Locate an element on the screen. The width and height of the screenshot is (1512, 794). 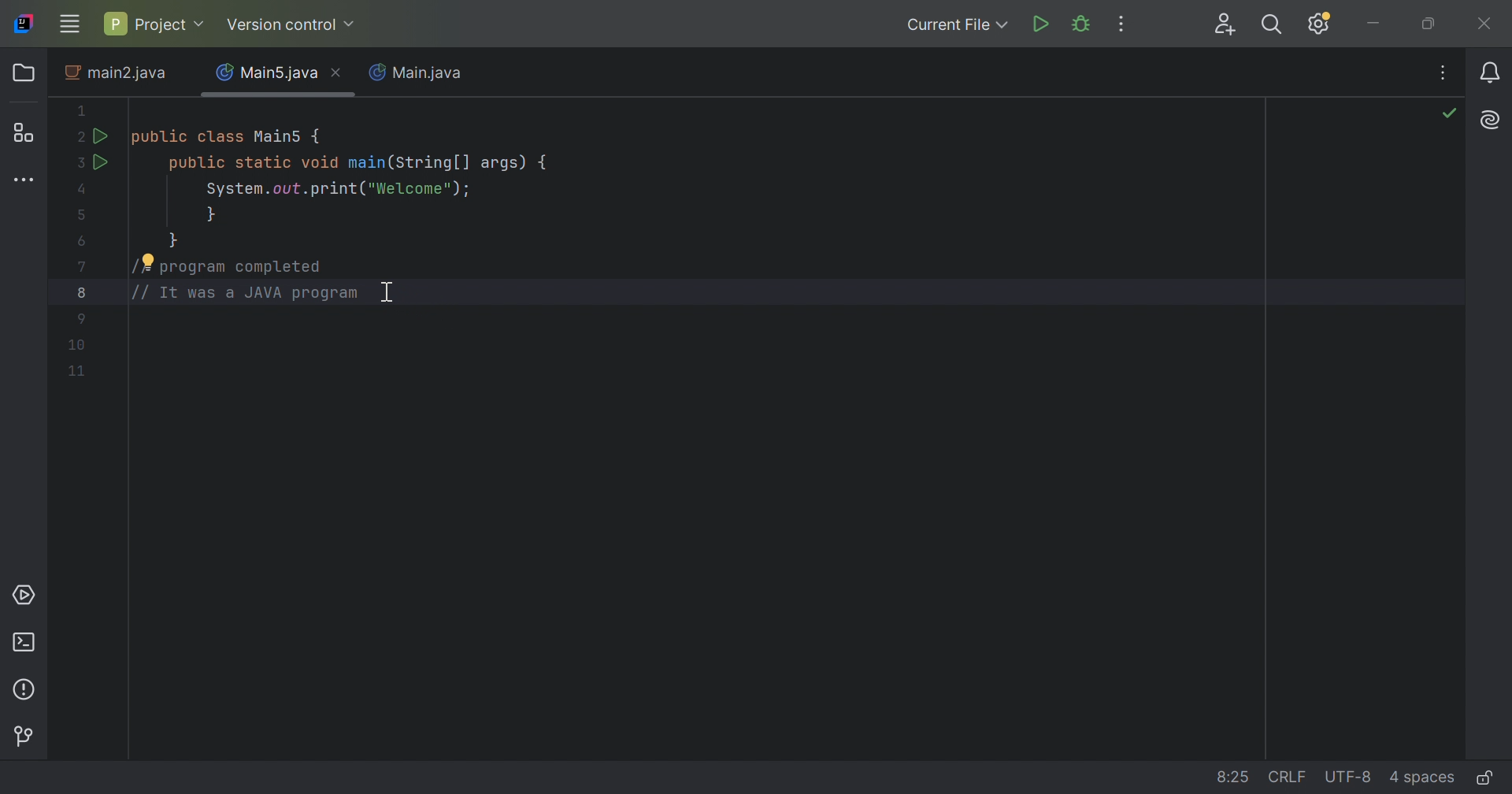
This java code defines a main class with a main method. IT prints "Welcome" to the console. is located at coordinates (312, 203).